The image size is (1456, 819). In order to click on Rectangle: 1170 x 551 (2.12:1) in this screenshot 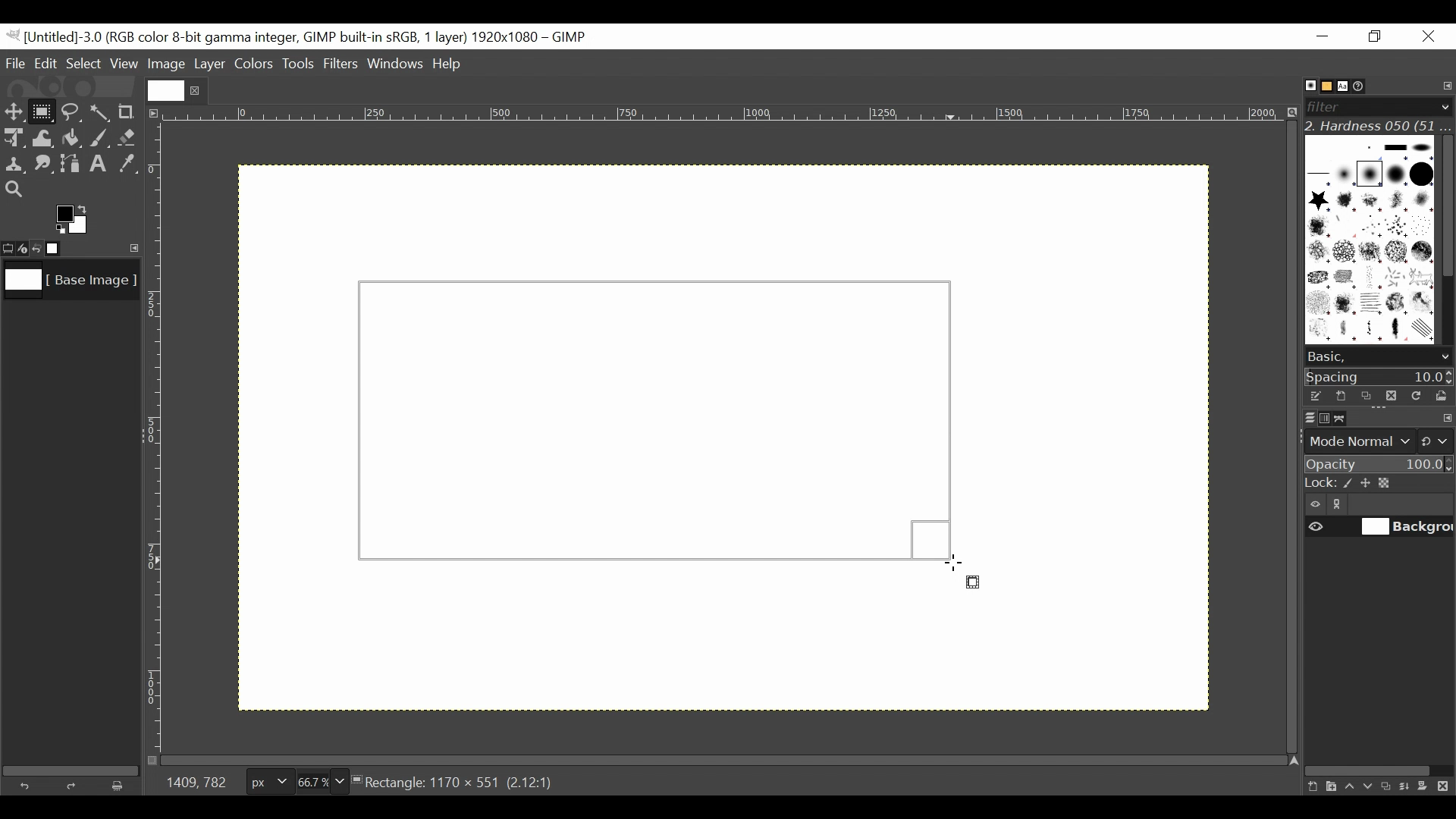, I will do `click(462, 783)`.